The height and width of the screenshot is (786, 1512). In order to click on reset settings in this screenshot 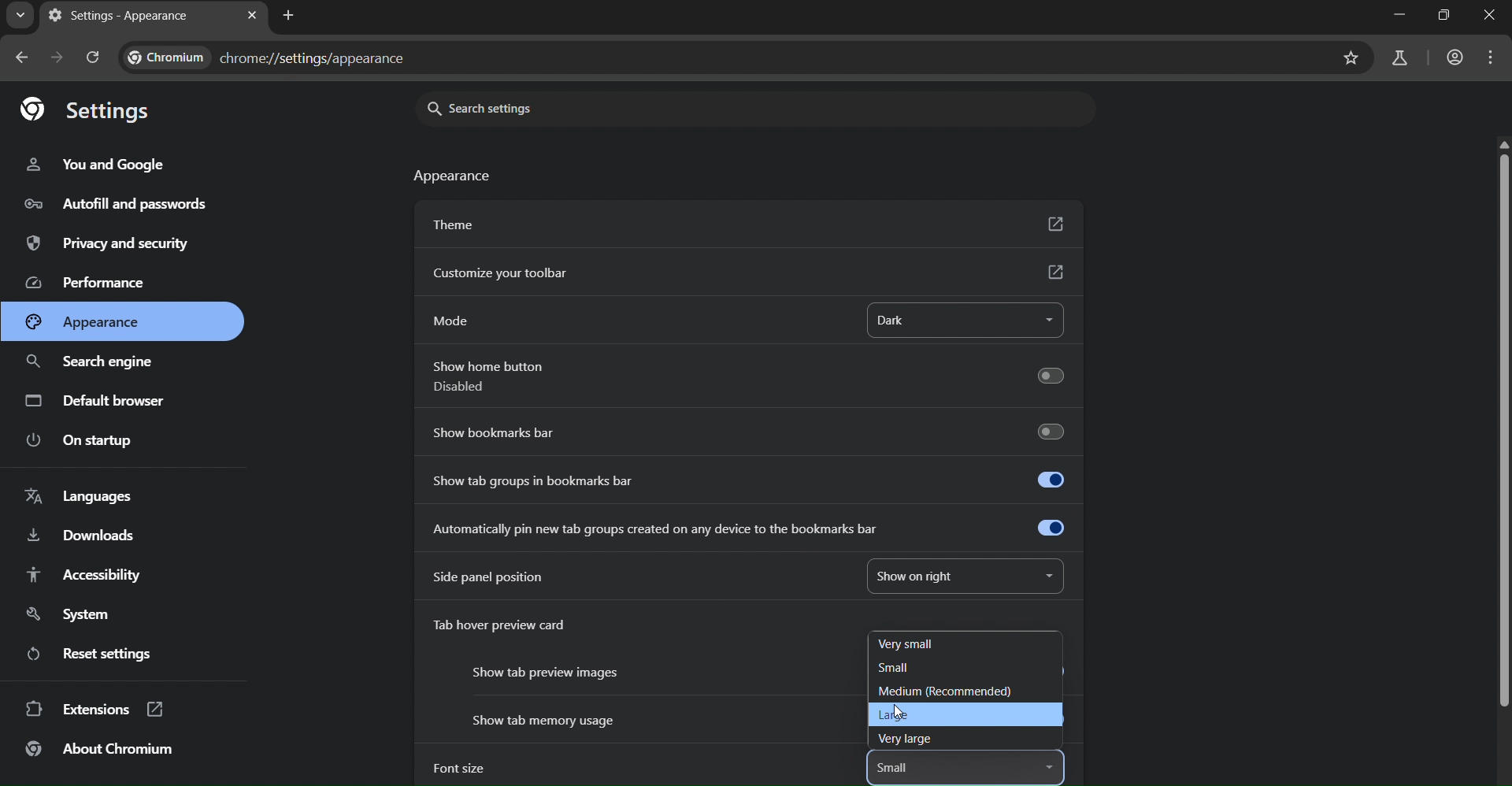, I will do `click(89, 654)`.